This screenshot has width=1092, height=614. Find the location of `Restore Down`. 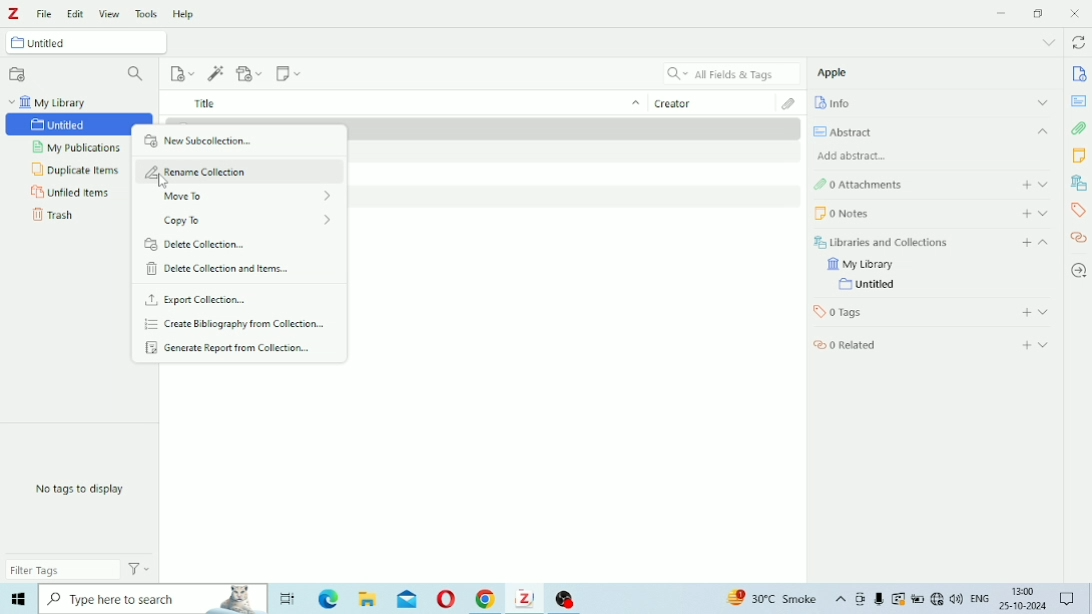

Restore Down is located at coordinates (1038, 13).